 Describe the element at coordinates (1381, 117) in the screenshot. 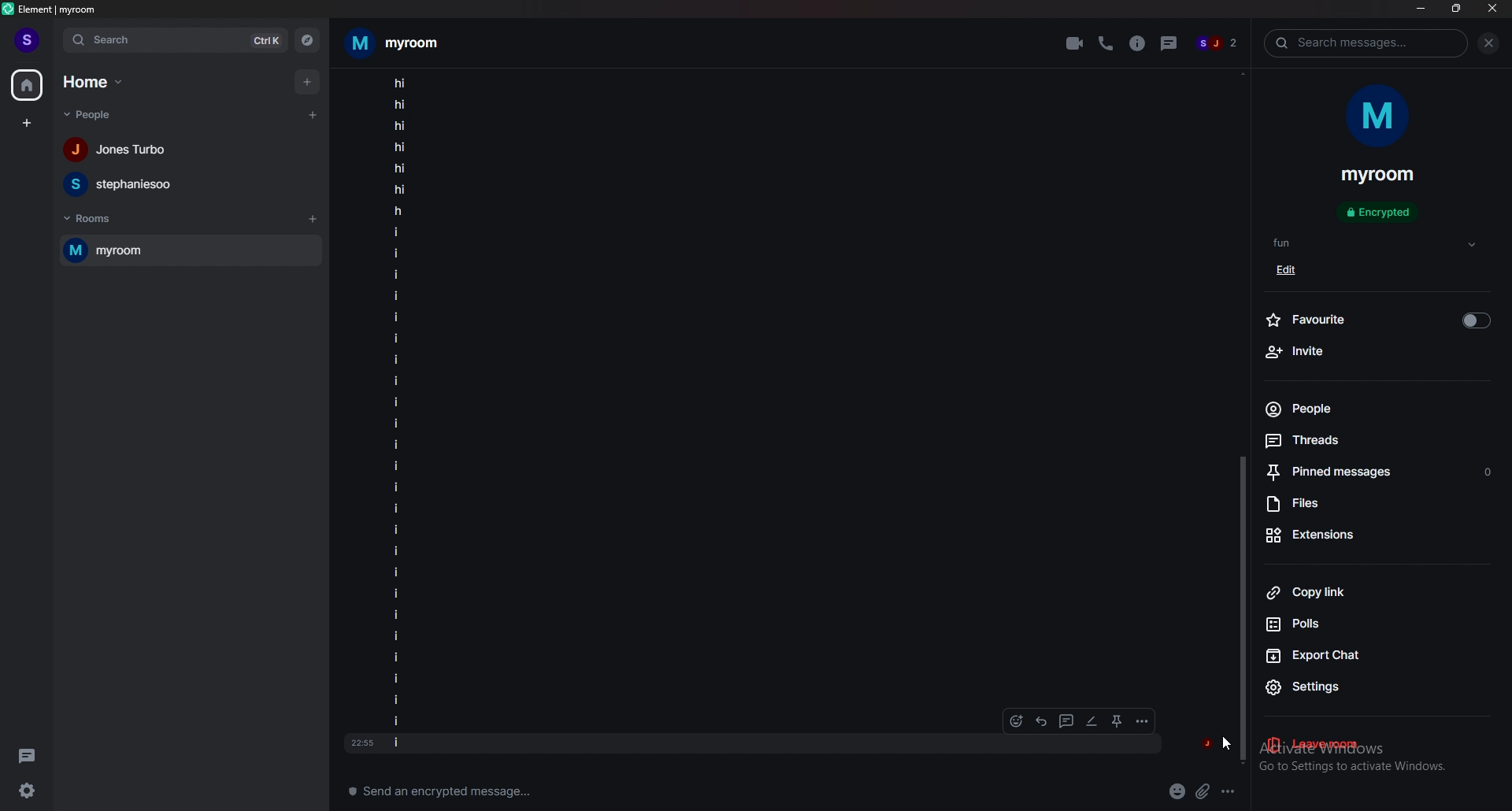

I see `room photo` at that location.